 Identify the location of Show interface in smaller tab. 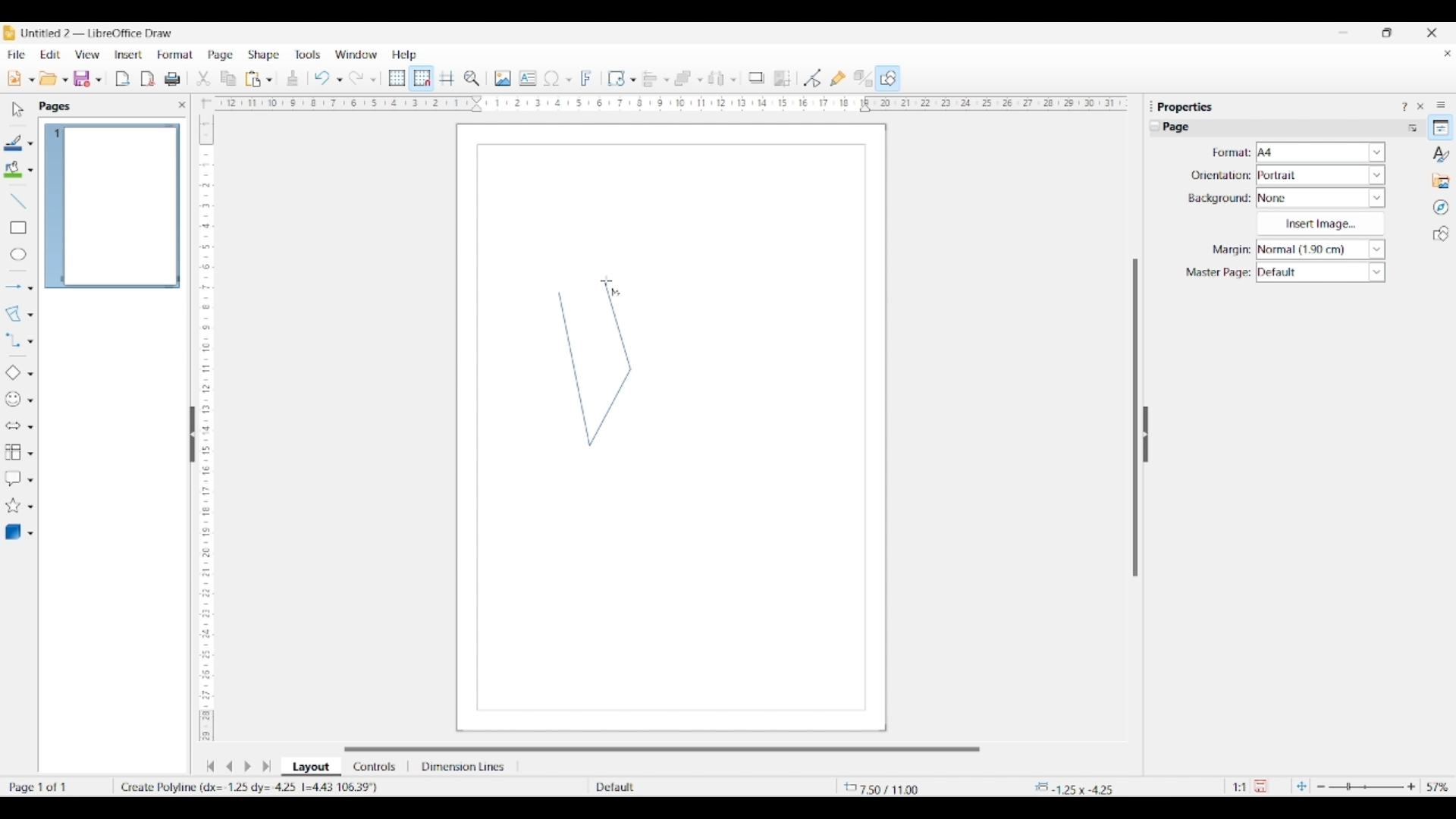
(1386, 33).